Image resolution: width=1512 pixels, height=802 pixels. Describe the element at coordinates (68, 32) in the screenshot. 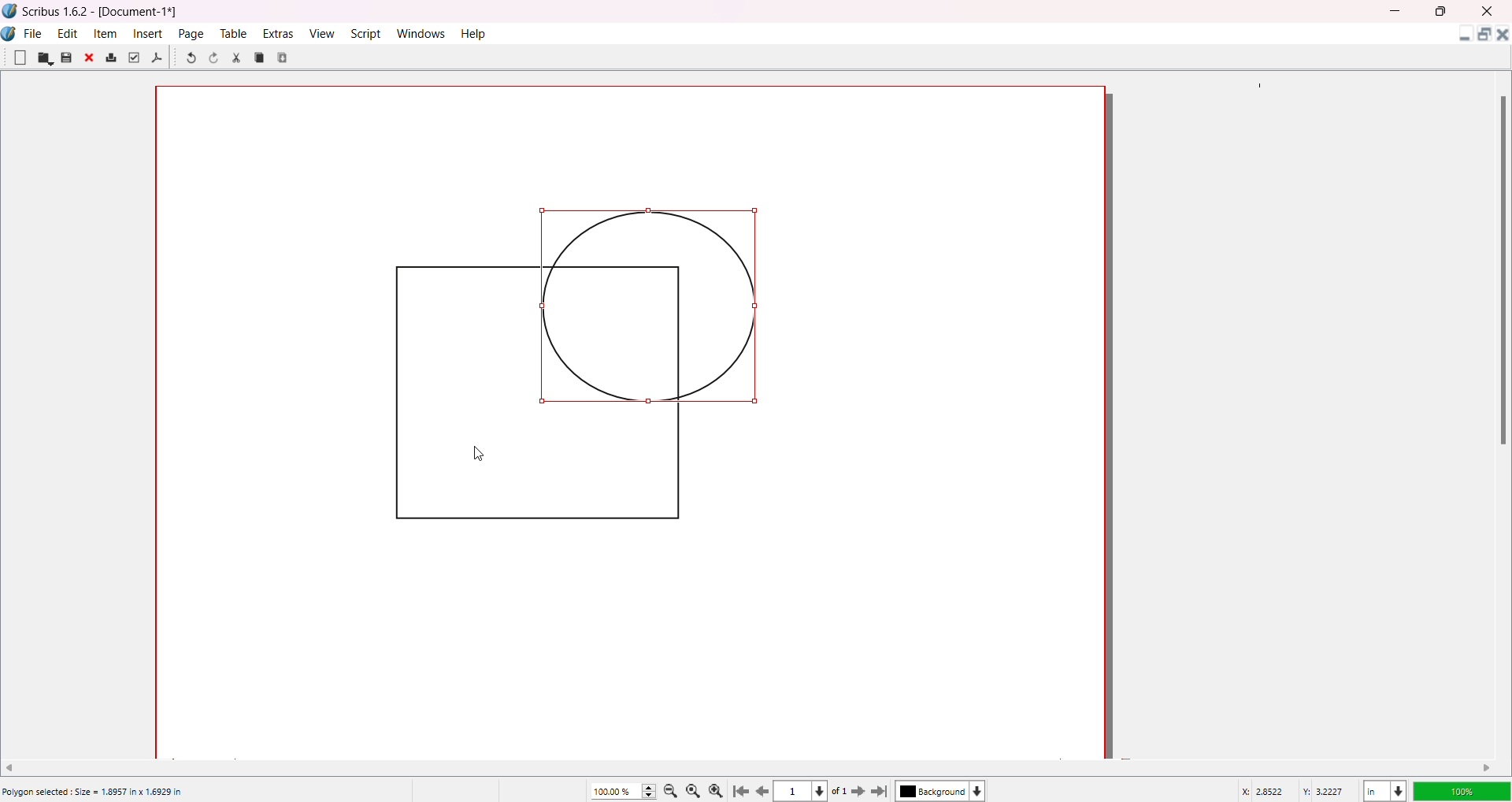

I see `Edit` at that location.